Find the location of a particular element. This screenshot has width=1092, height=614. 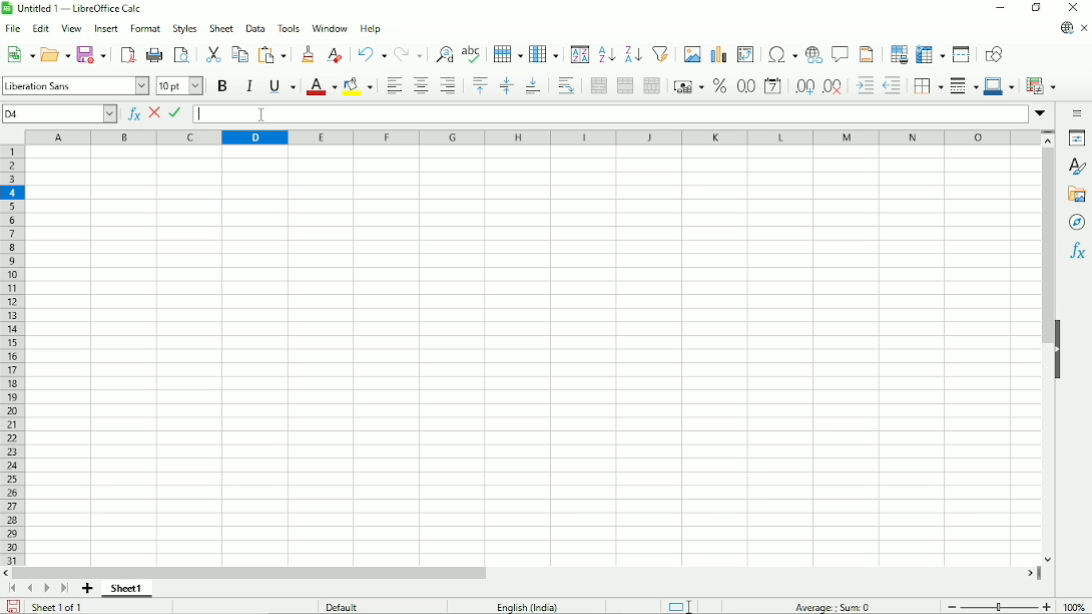

Open is located at coordinates (56, 53).